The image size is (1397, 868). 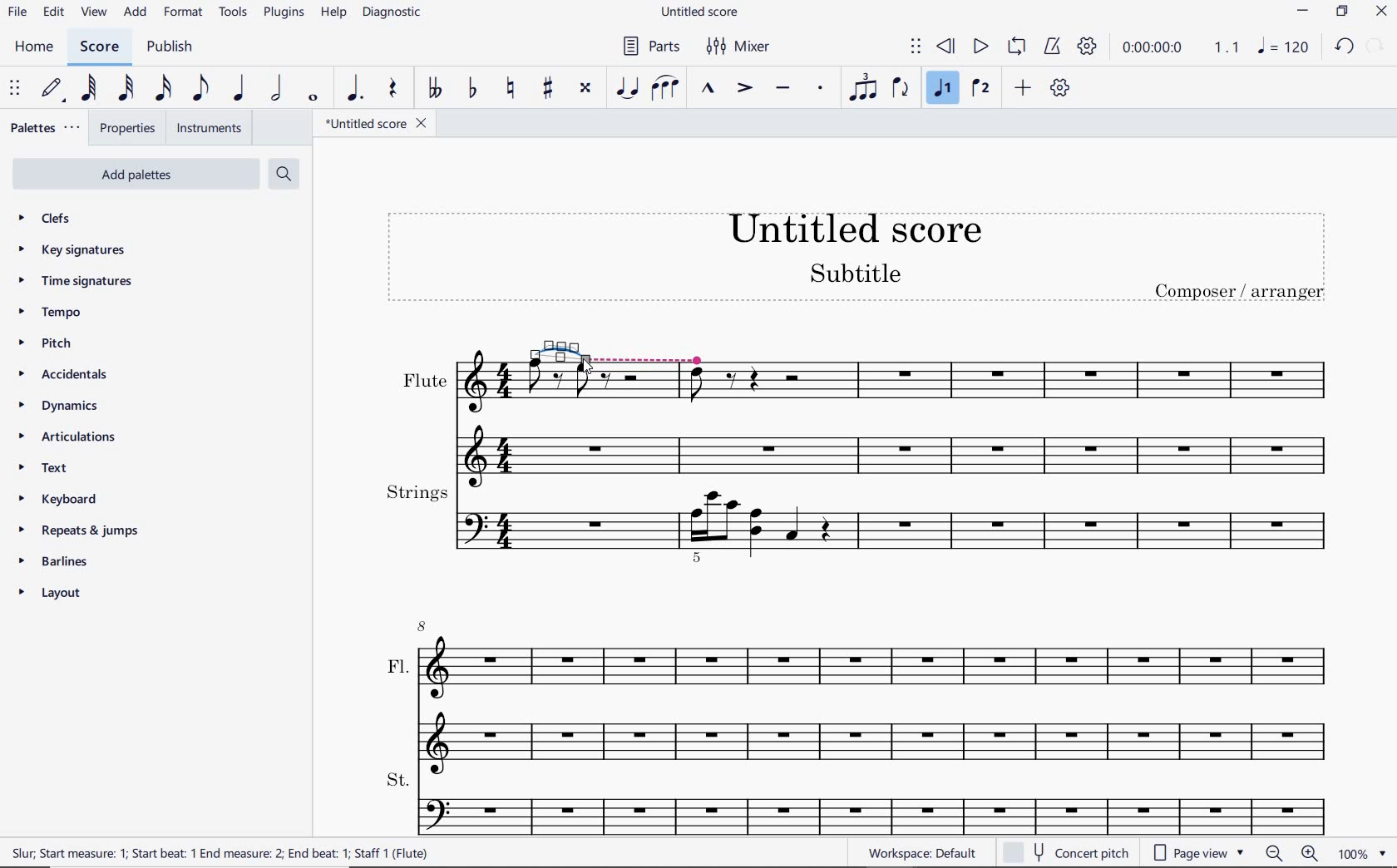 I want to click on tempo, so click(x=52, y=313).